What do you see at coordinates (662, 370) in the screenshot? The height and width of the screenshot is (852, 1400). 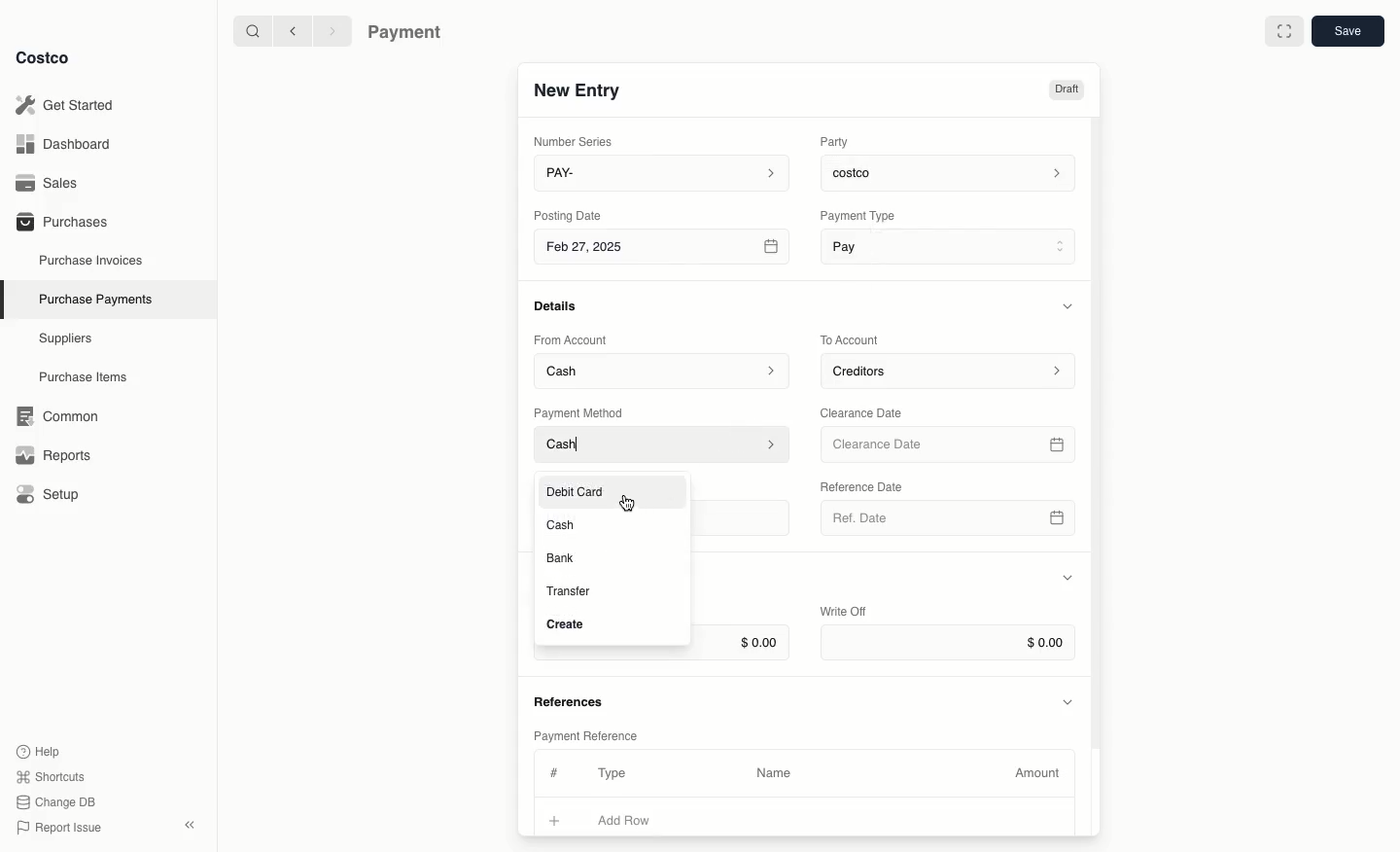 I see `Cash` at bounding box center [662, 370].